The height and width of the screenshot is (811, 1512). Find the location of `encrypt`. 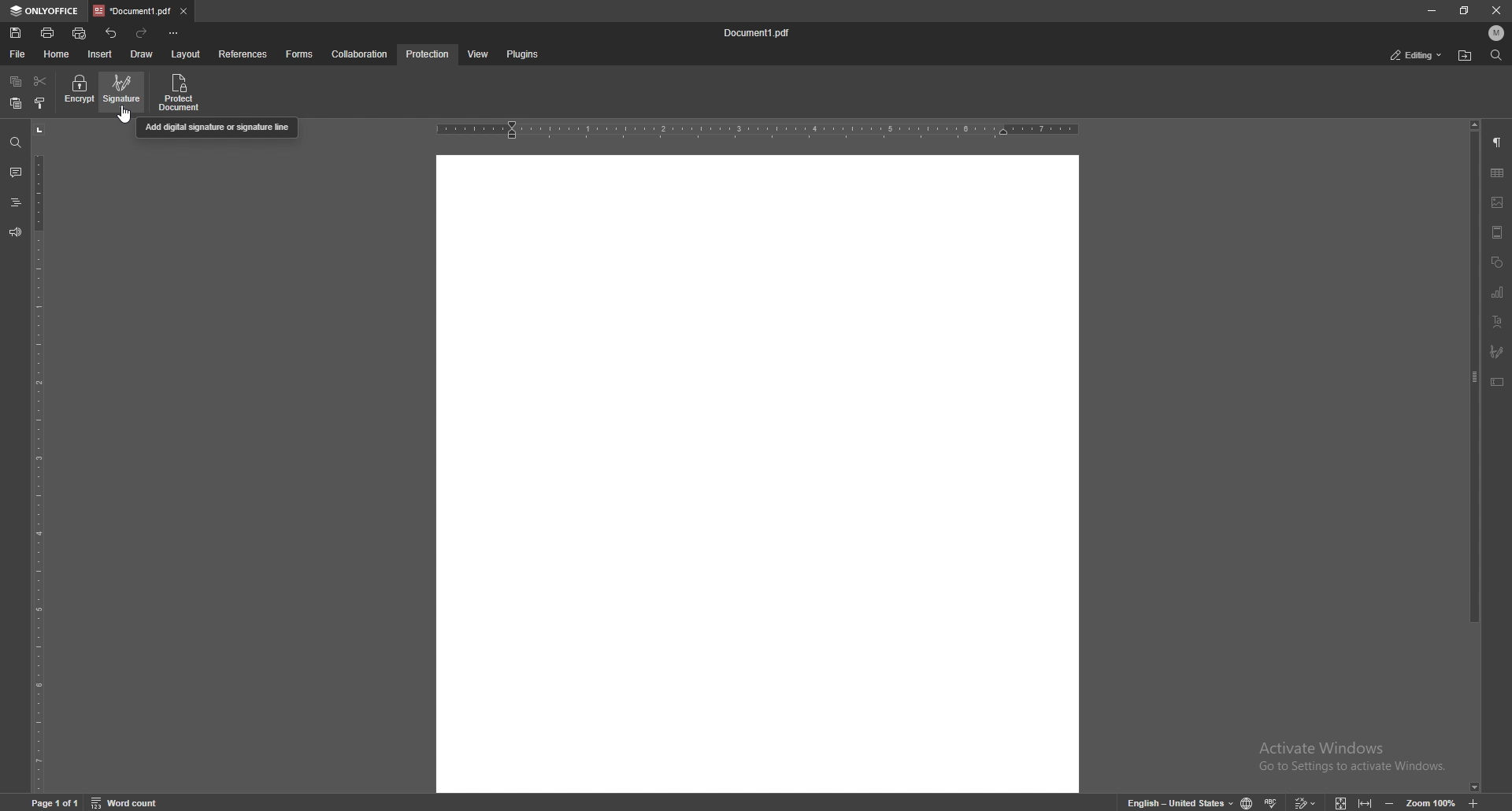

encrypt is located at coordinates (79, 91).